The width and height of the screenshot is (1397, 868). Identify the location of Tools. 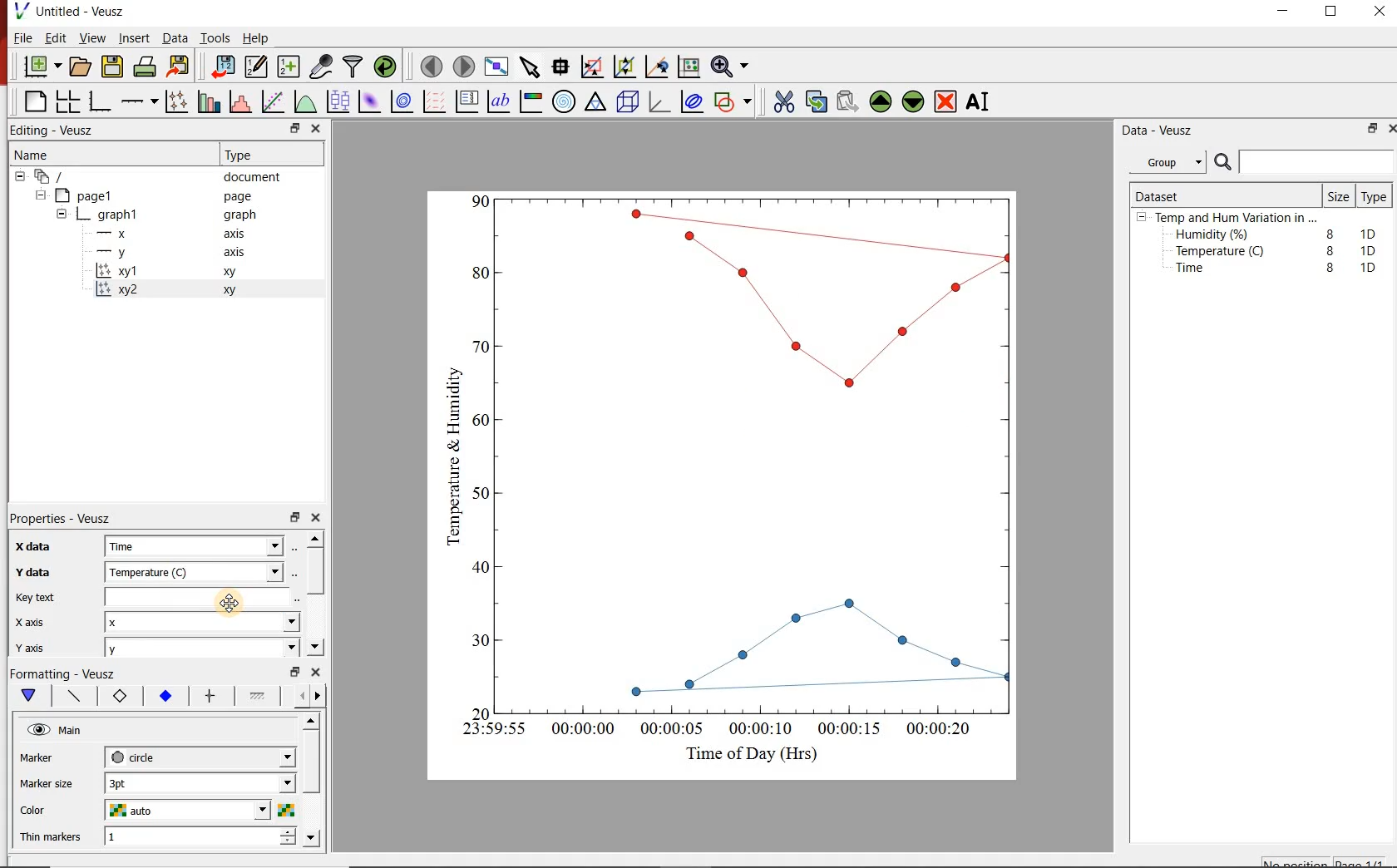
(214, 38).